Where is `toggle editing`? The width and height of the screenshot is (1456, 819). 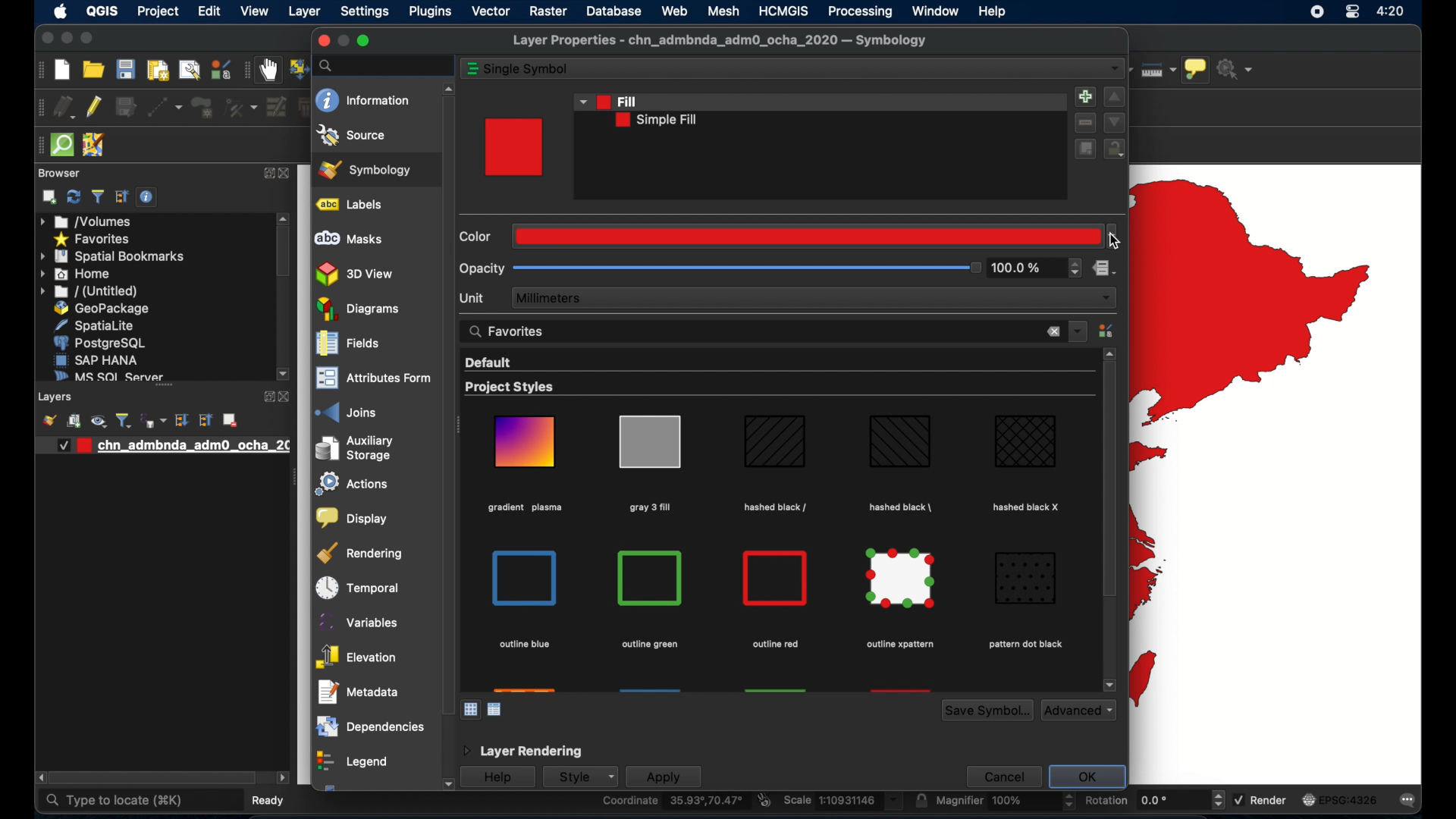
toggle editing is located at coordinates (95, 105).